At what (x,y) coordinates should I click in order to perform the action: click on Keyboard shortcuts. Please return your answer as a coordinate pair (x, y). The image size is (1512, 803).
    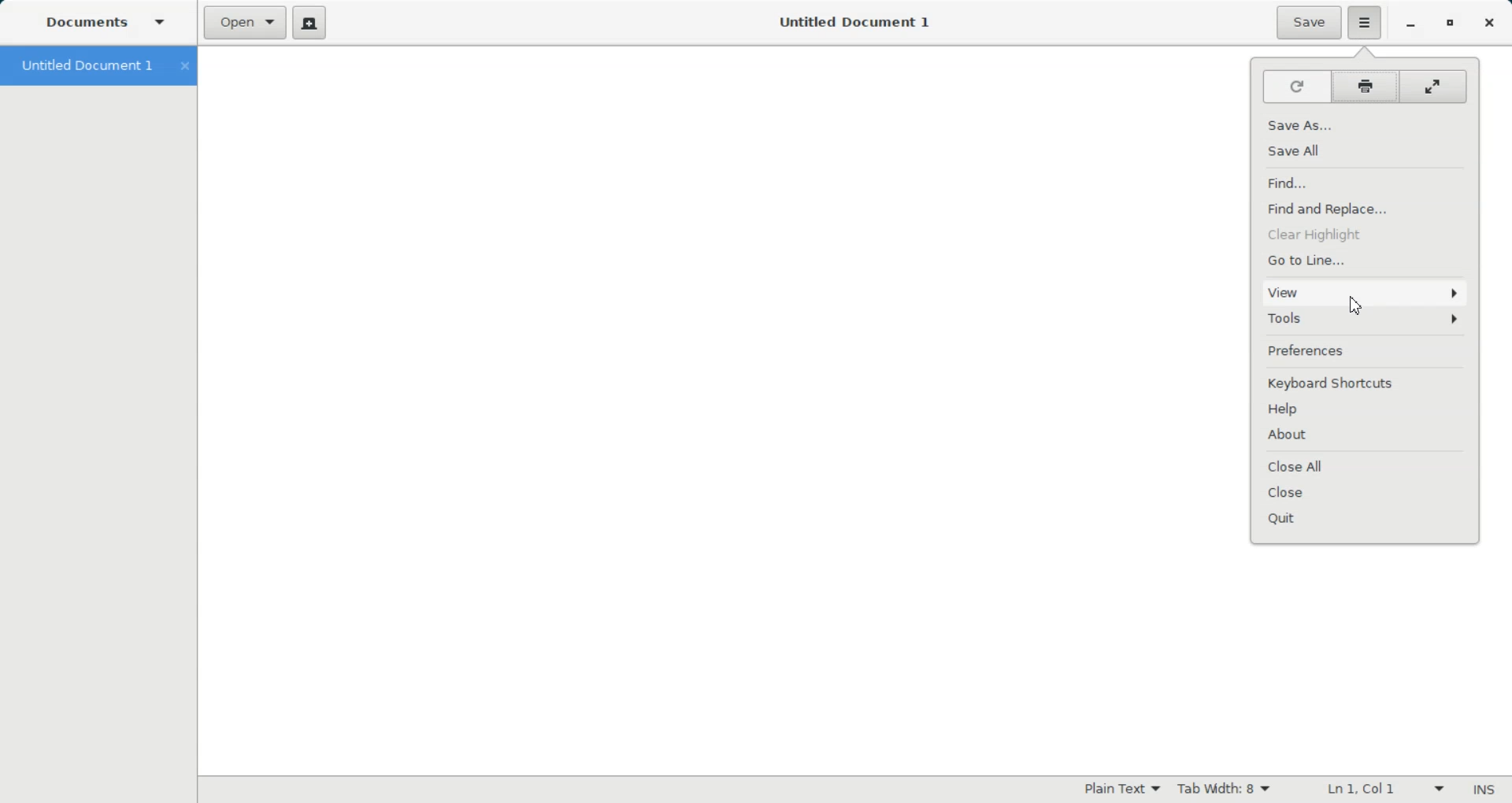
    Looking at the image, I should click on (1366, 383).